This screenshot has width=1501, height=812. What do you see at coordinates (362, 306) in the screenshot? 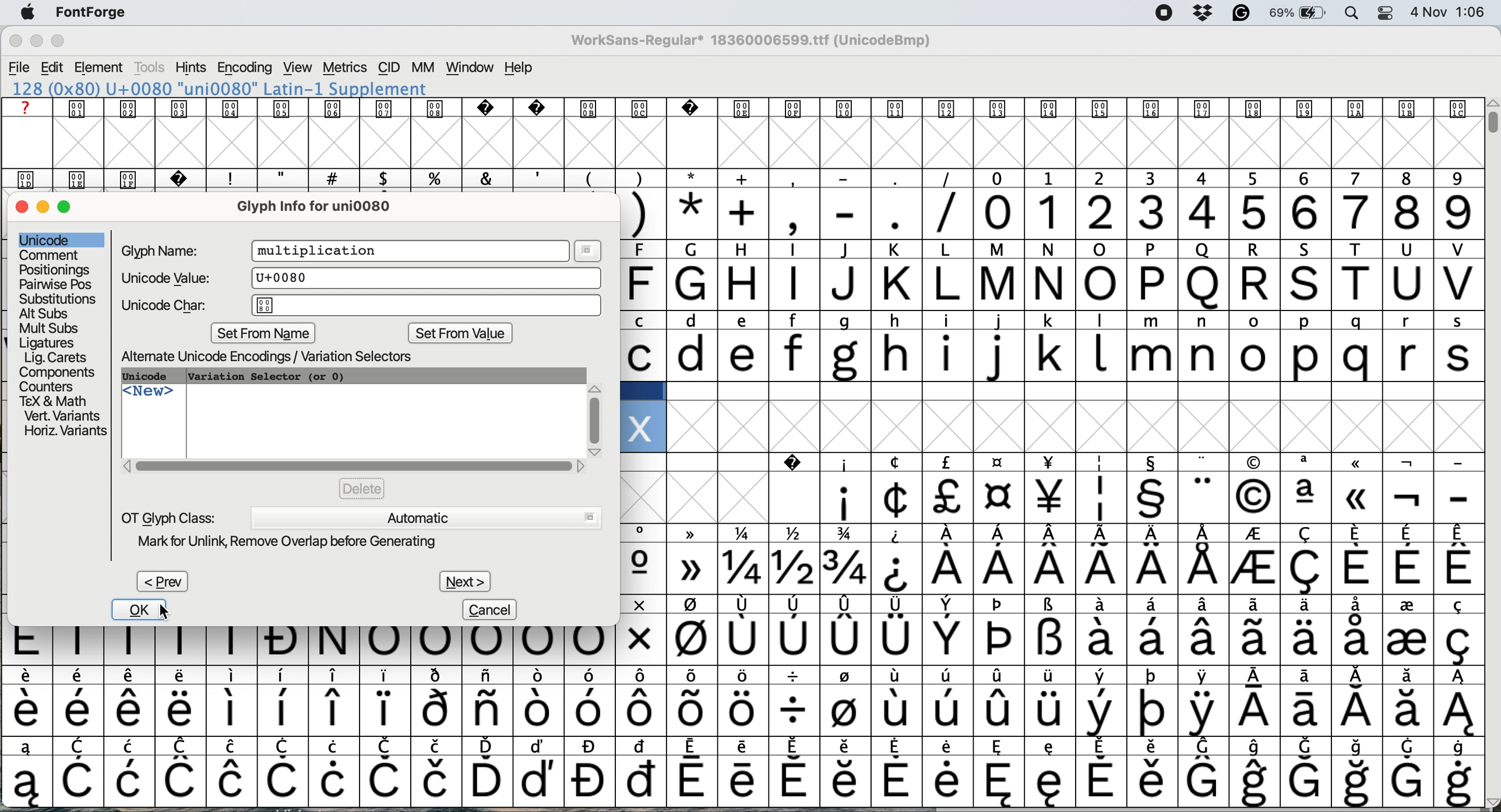
I see `unicode char` at bounding box center [362, 306].